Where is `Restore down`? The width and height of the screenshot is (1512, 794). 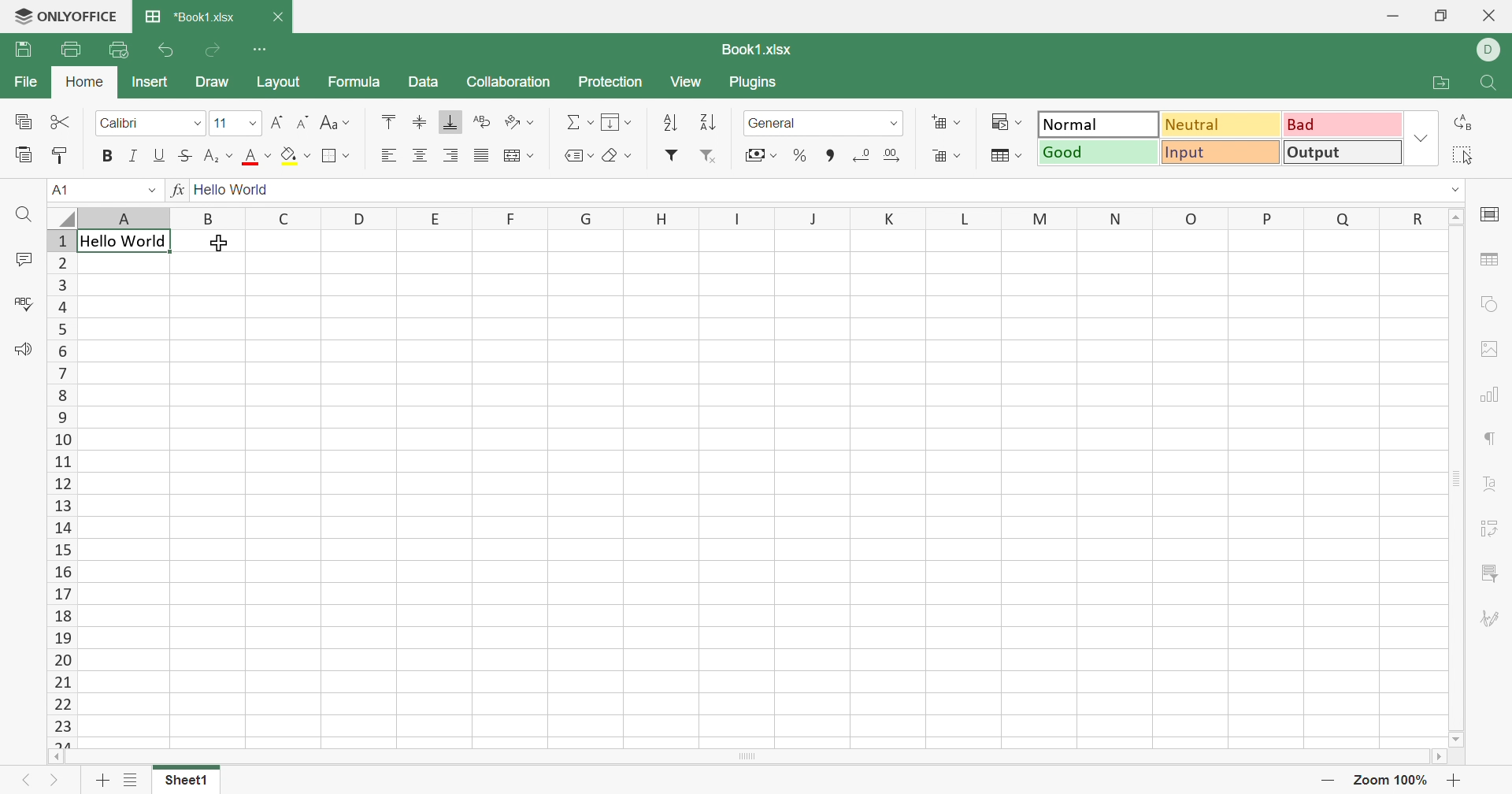 Restore down is located at coordinates (1440, 17).